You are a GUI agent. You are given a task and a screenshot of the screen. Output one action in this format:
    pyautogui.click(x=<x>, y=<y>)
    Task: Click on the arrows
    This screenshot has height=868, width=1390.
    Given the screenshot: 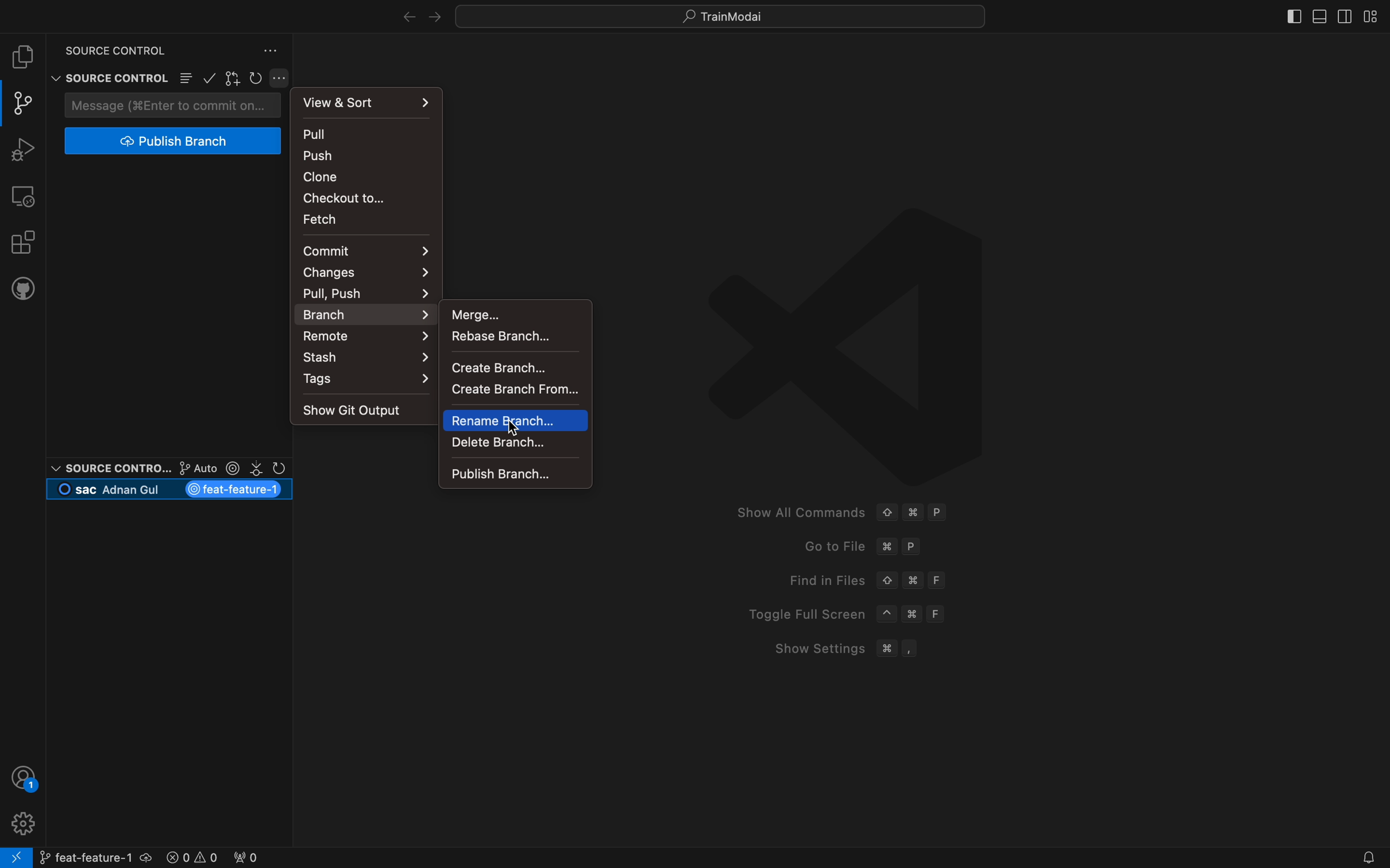 What is the action you would take?
    pyautogui.click(x=416, y=15)
    